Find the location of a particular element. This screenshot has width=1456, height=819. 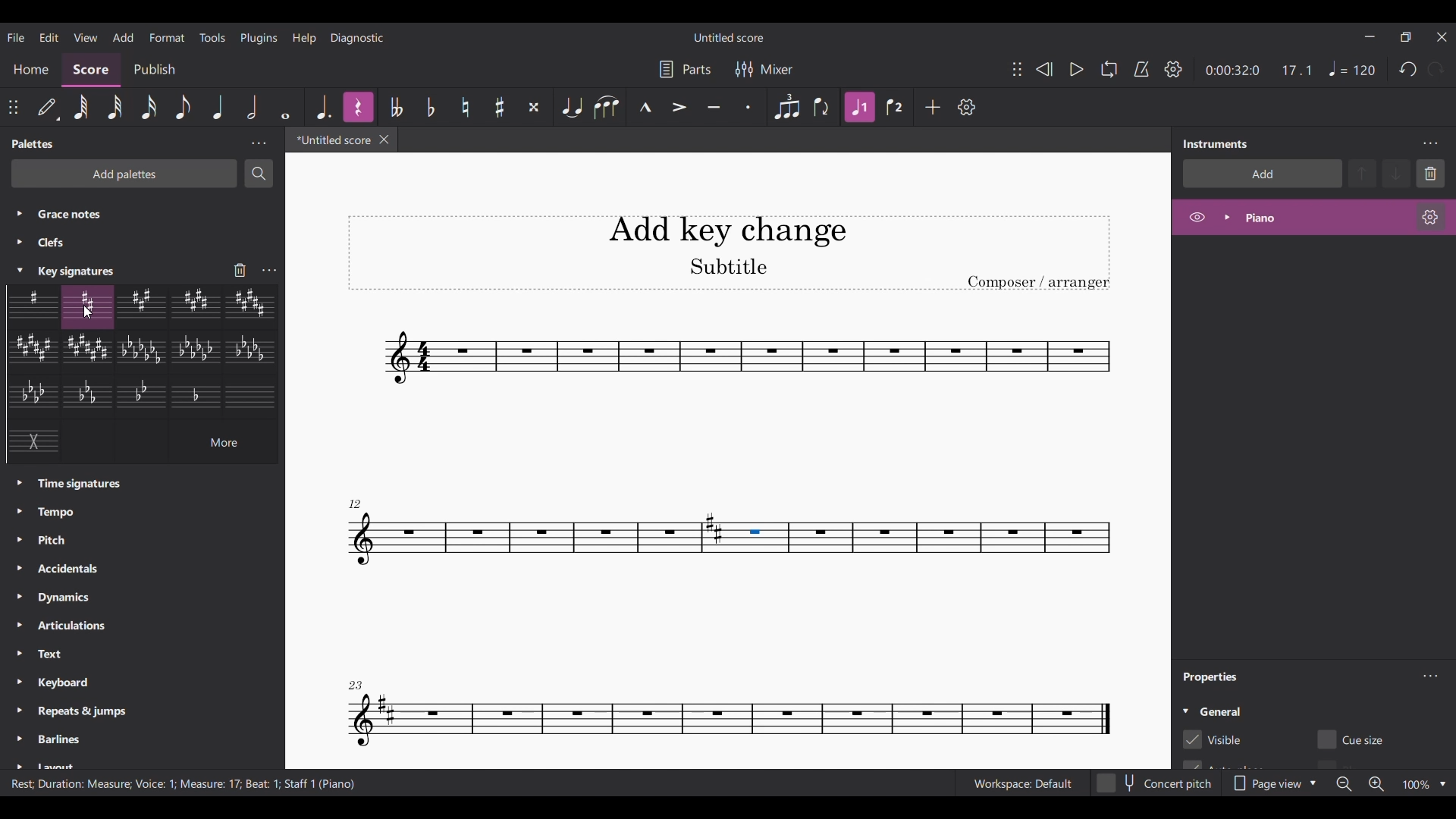

16th note is located at coordinates (149, 107).